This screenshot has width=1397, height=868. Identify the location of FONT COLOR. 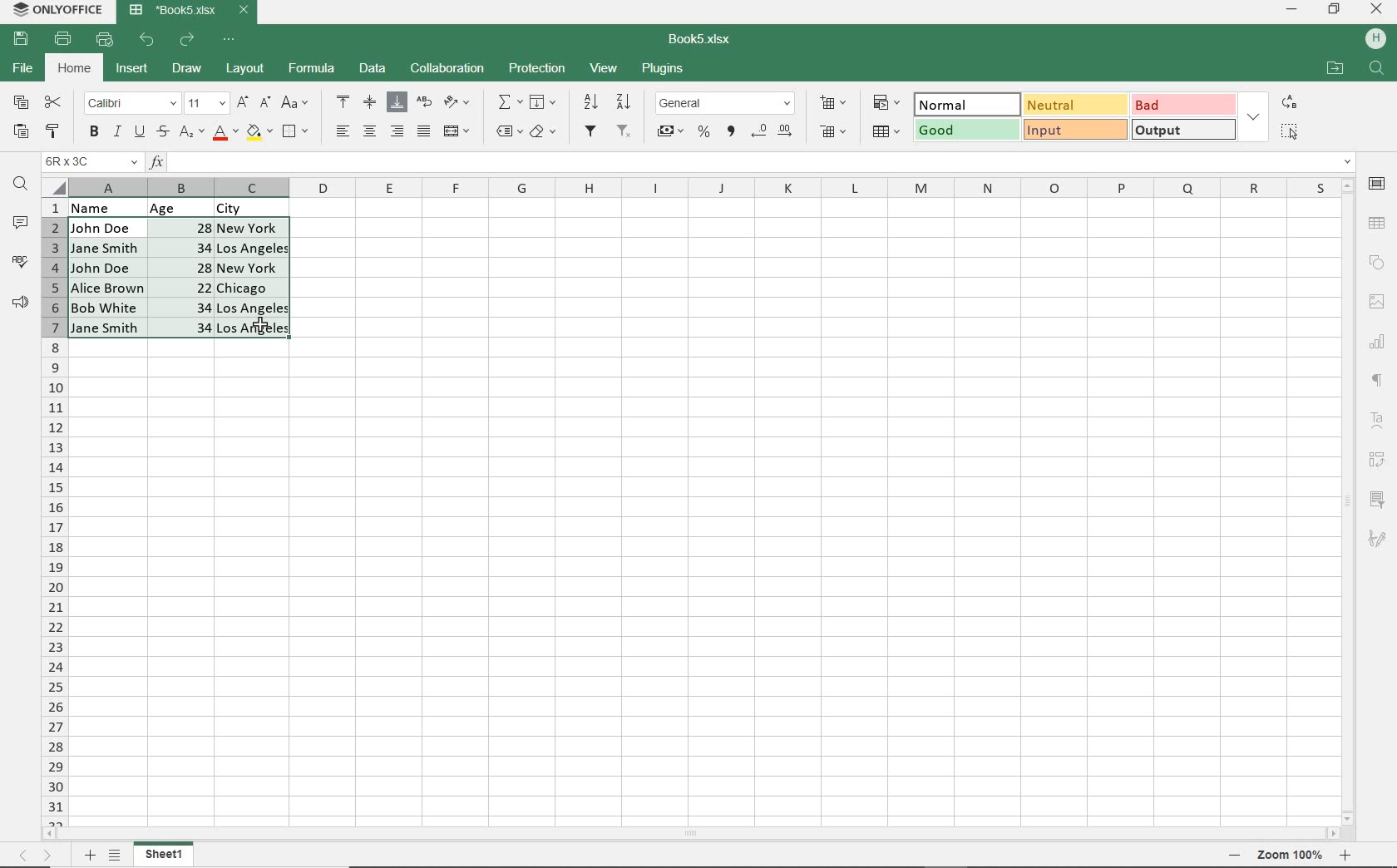
(225, 133).